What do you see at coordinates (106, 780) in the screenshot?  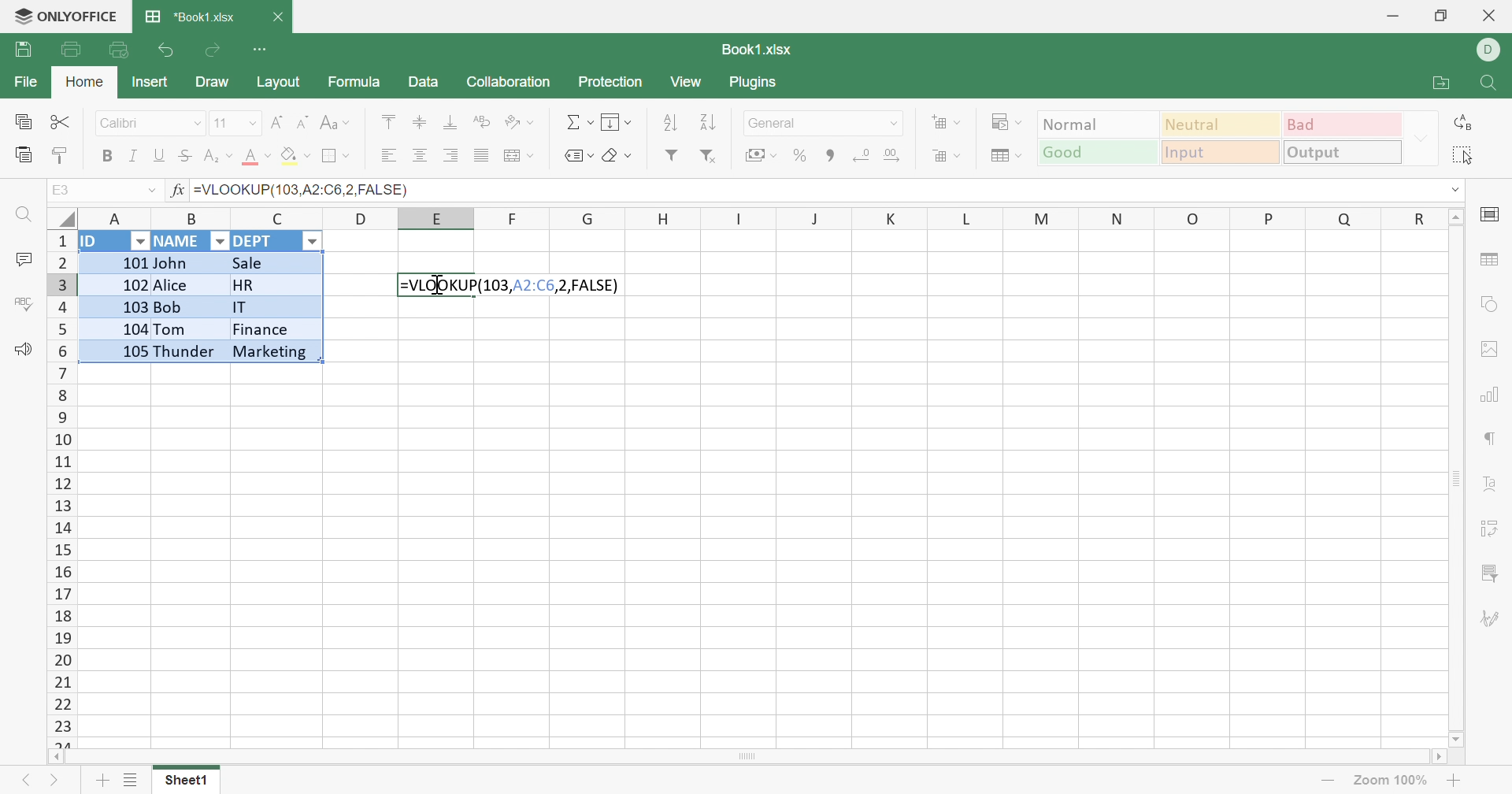 I see `Add sheet` at bounding box center [106, 780].